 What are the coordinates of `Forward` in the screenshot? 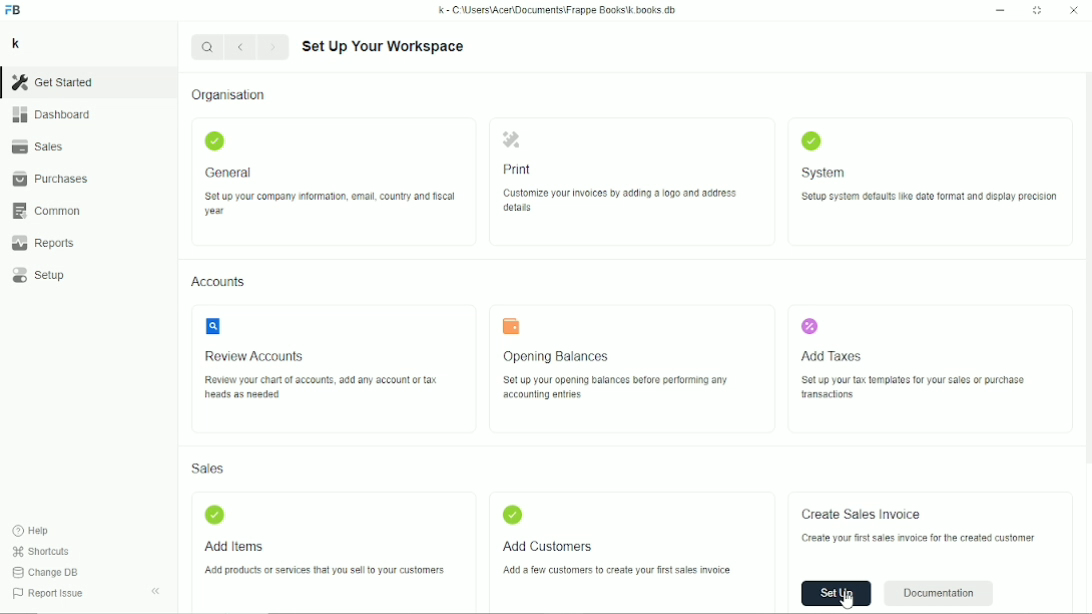 It's located at (275, 45).